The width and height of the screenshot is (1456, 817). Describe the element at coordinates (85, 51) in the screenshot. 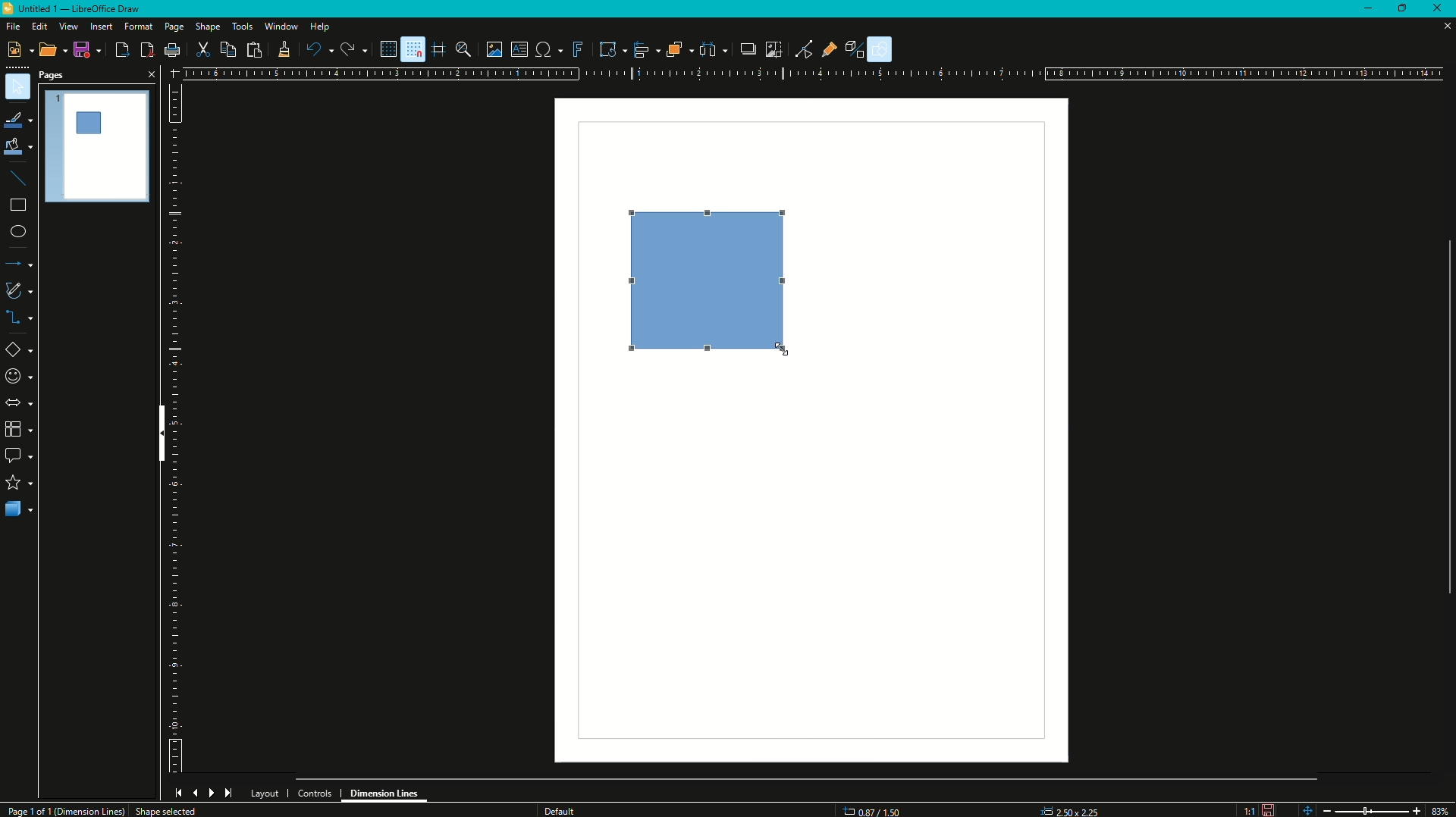

I see `Save` at that location.